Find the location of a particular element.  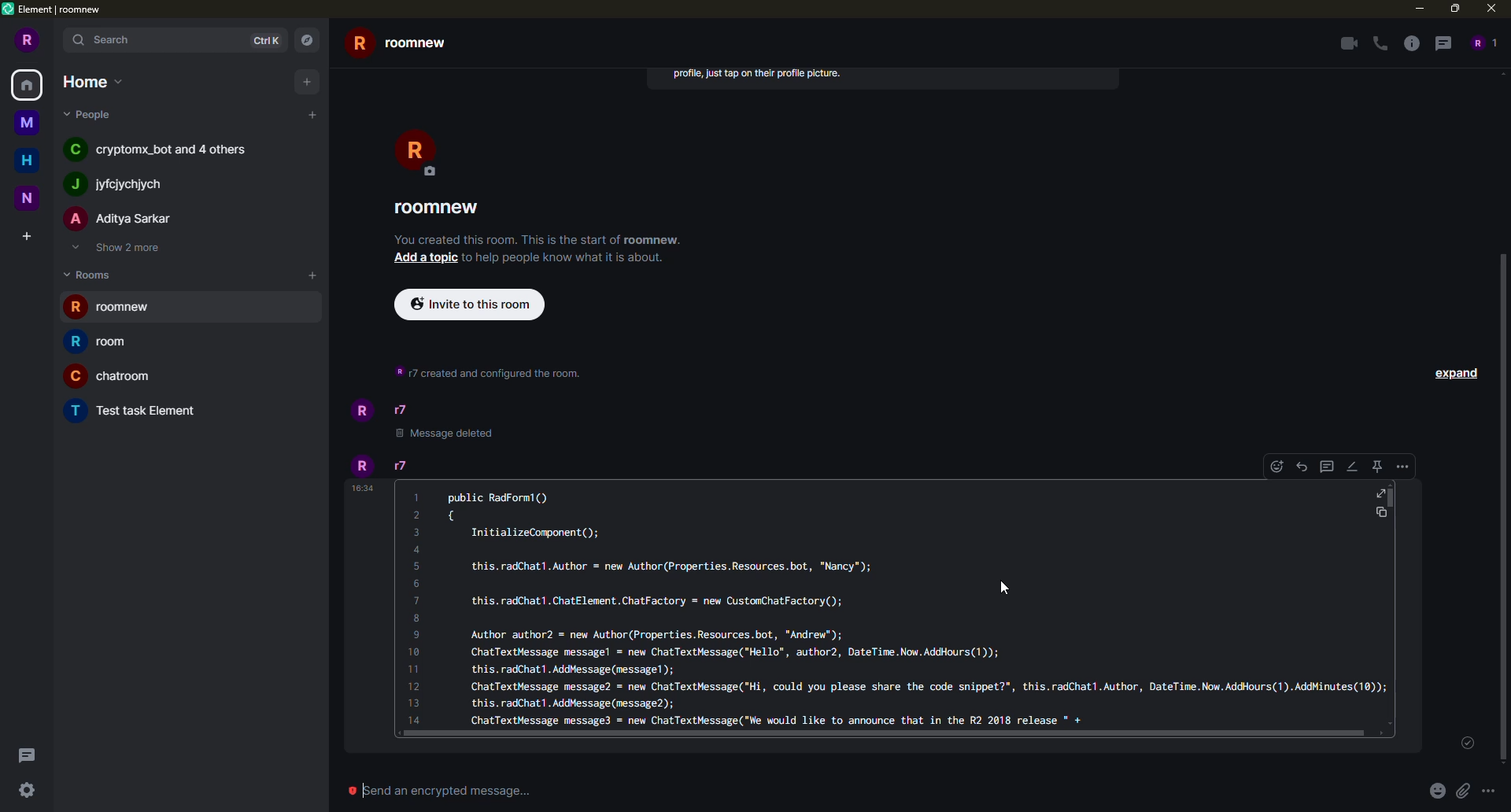

room is located at coordinates (110, 306).